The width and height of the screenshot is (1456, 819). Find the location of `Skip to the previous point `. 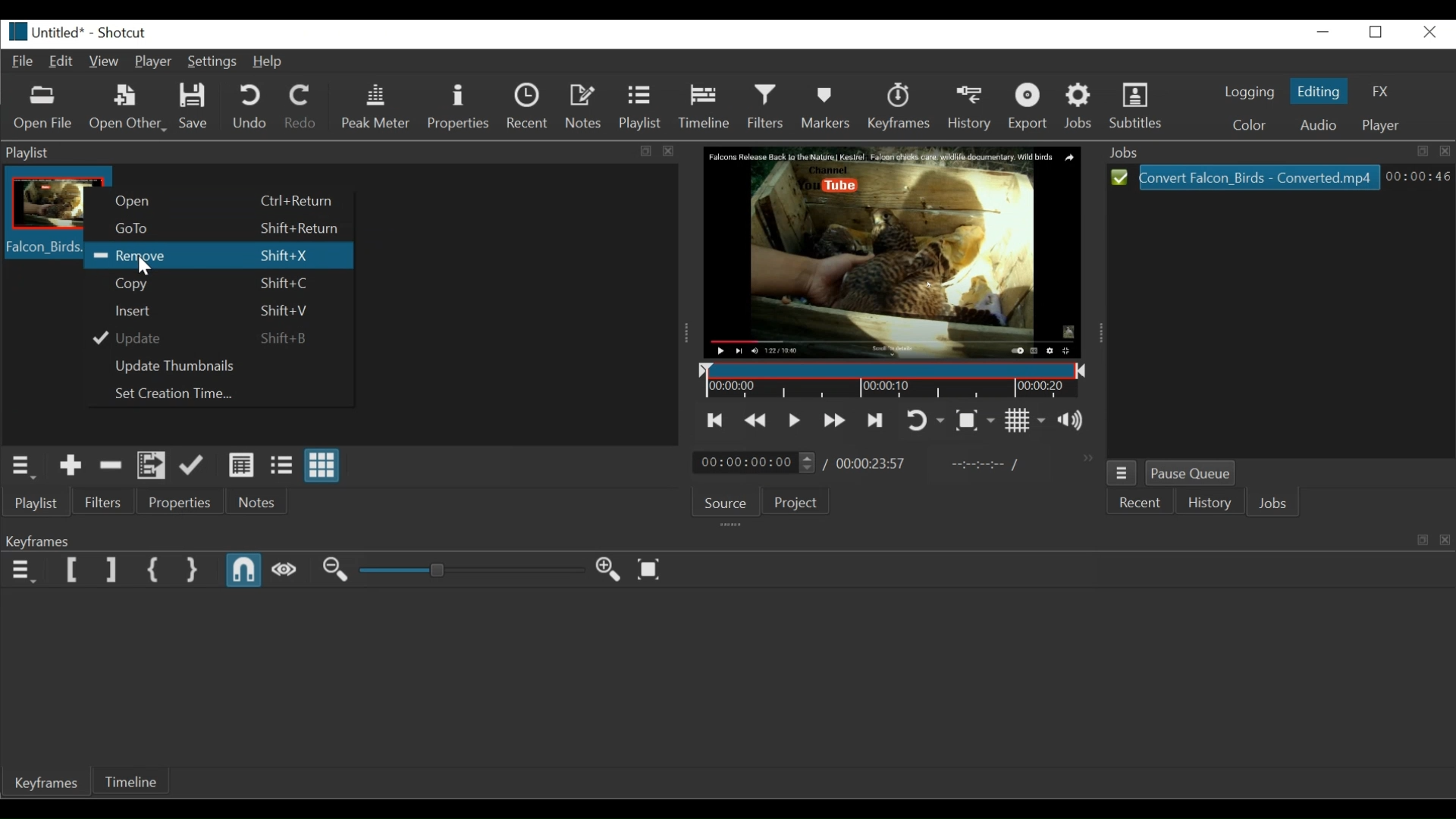

Skip to the previous point  is located at coordinates (712, 419).